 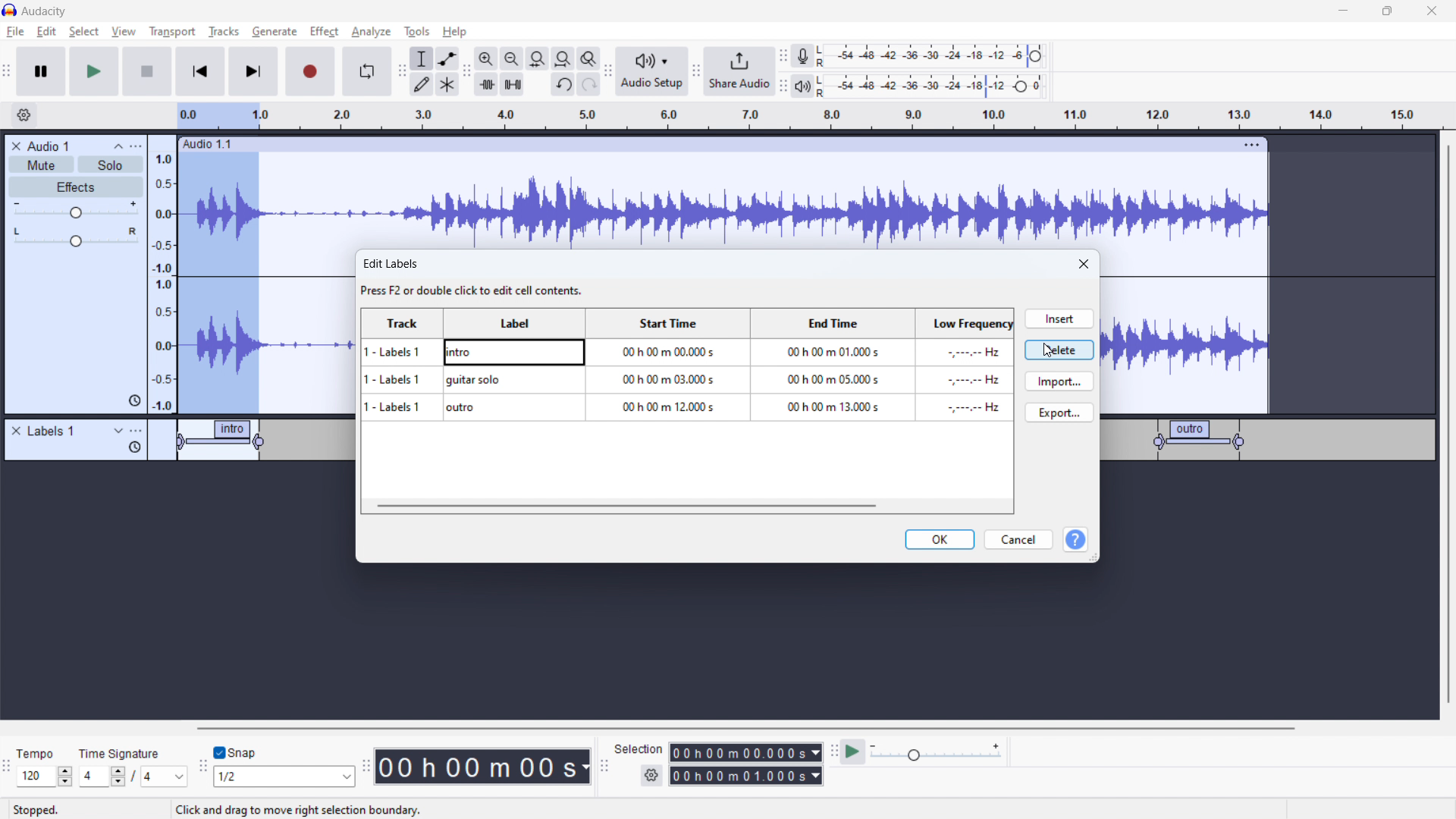 I want to click on select, so click(x=83, y=31).